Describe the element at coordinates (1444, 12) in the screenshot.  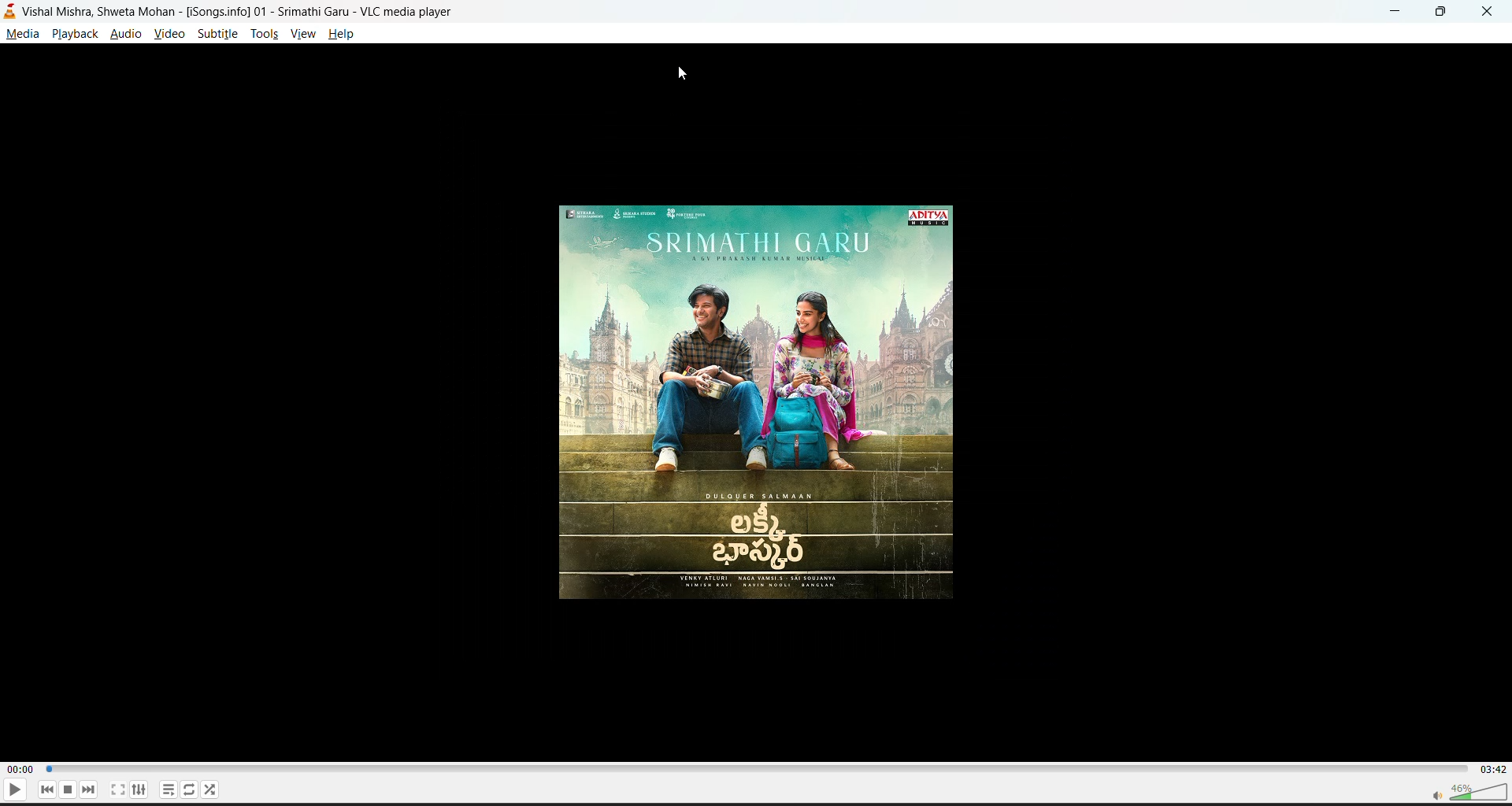
I see `maximize` at that location.